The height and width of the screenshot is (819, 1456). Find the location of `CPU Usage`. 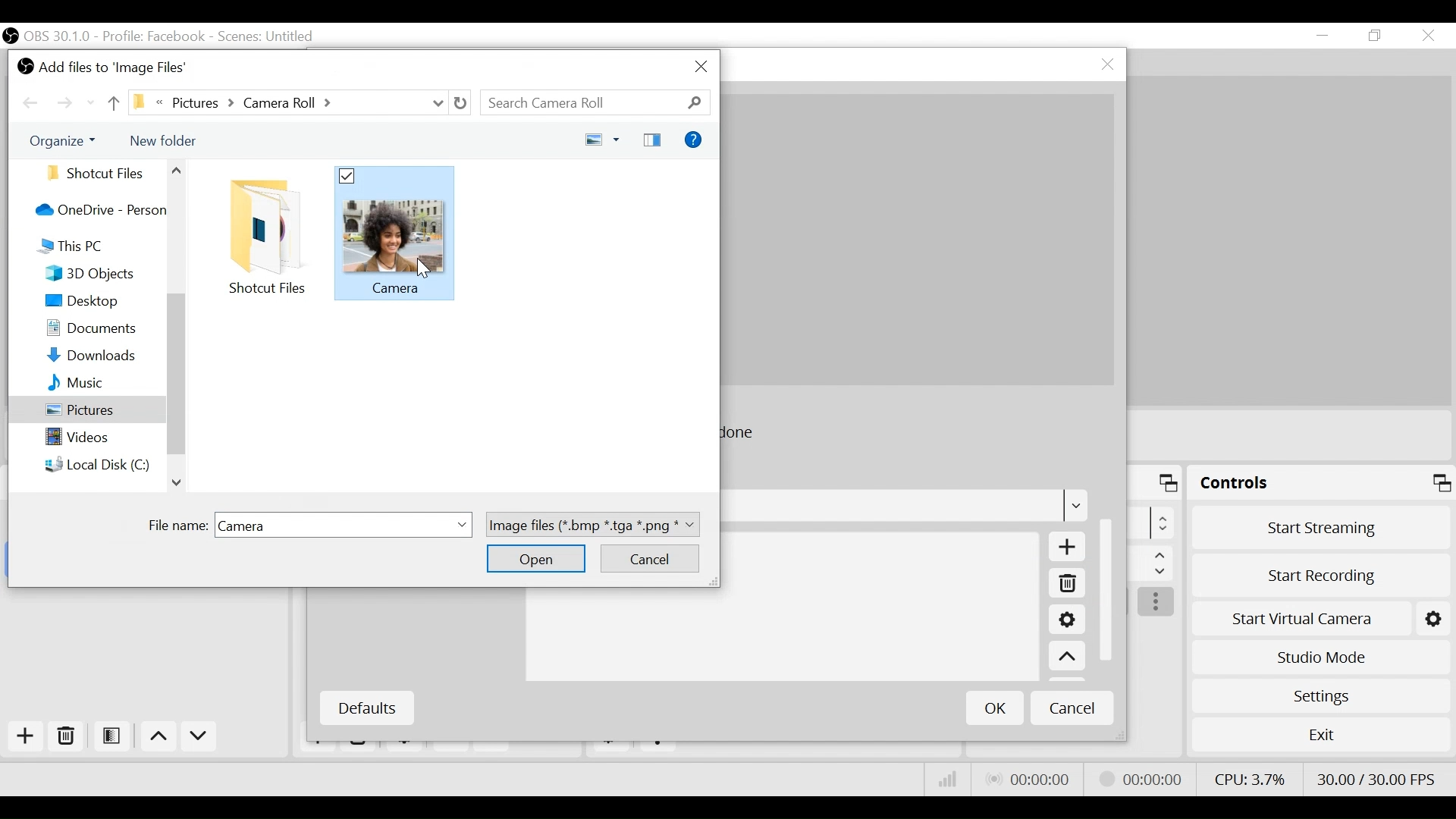

CPU Usage is located at coordinates (1247, 777).